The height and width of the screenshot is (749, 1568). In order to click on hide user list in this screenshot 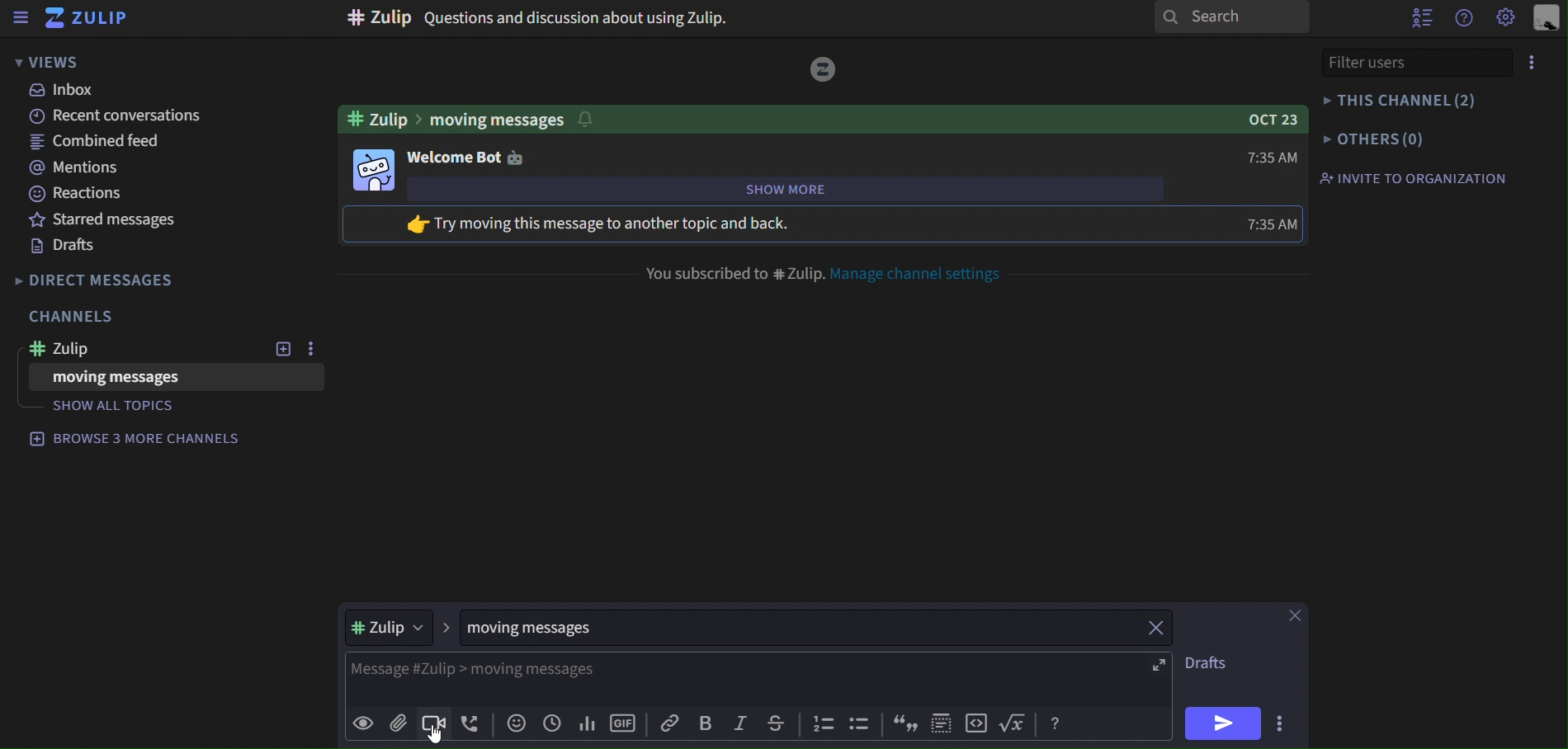, I will do `click(1418, 17)`.